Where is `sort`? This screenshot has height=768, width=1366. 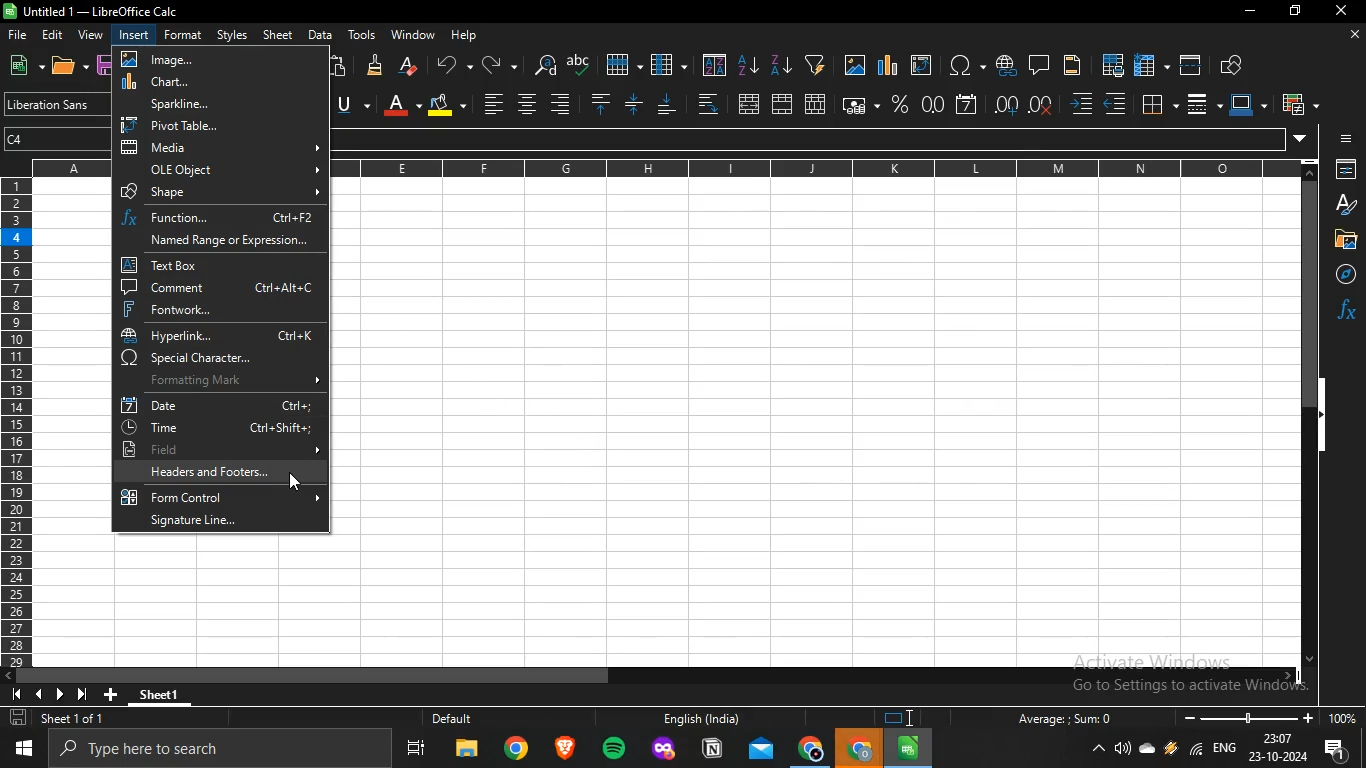 sort is located at coordinates (715, 65).